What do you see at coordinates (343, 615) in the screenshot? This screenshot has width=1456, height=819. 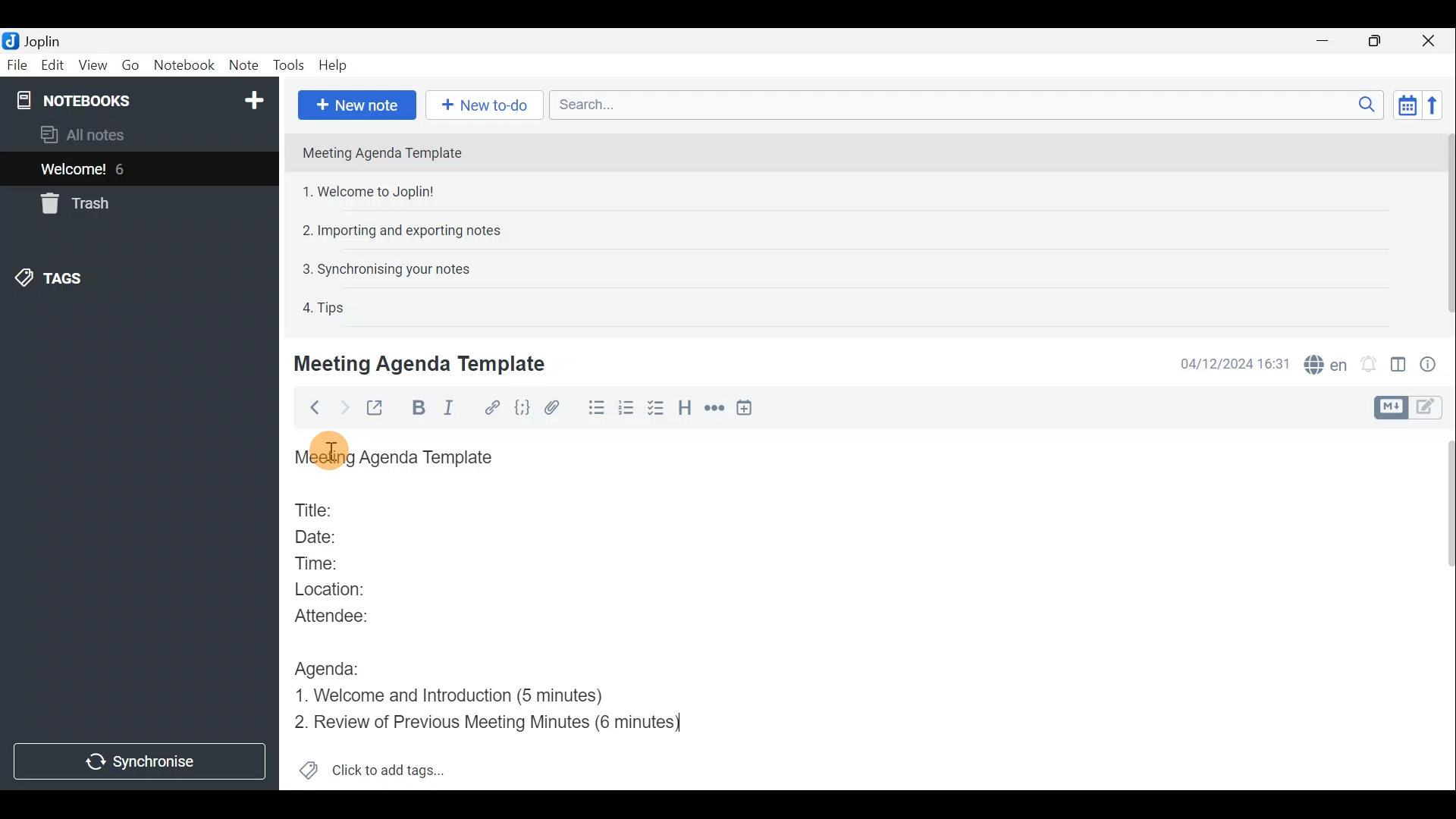 I see `Attendee:` at bounding box center [343, 615].